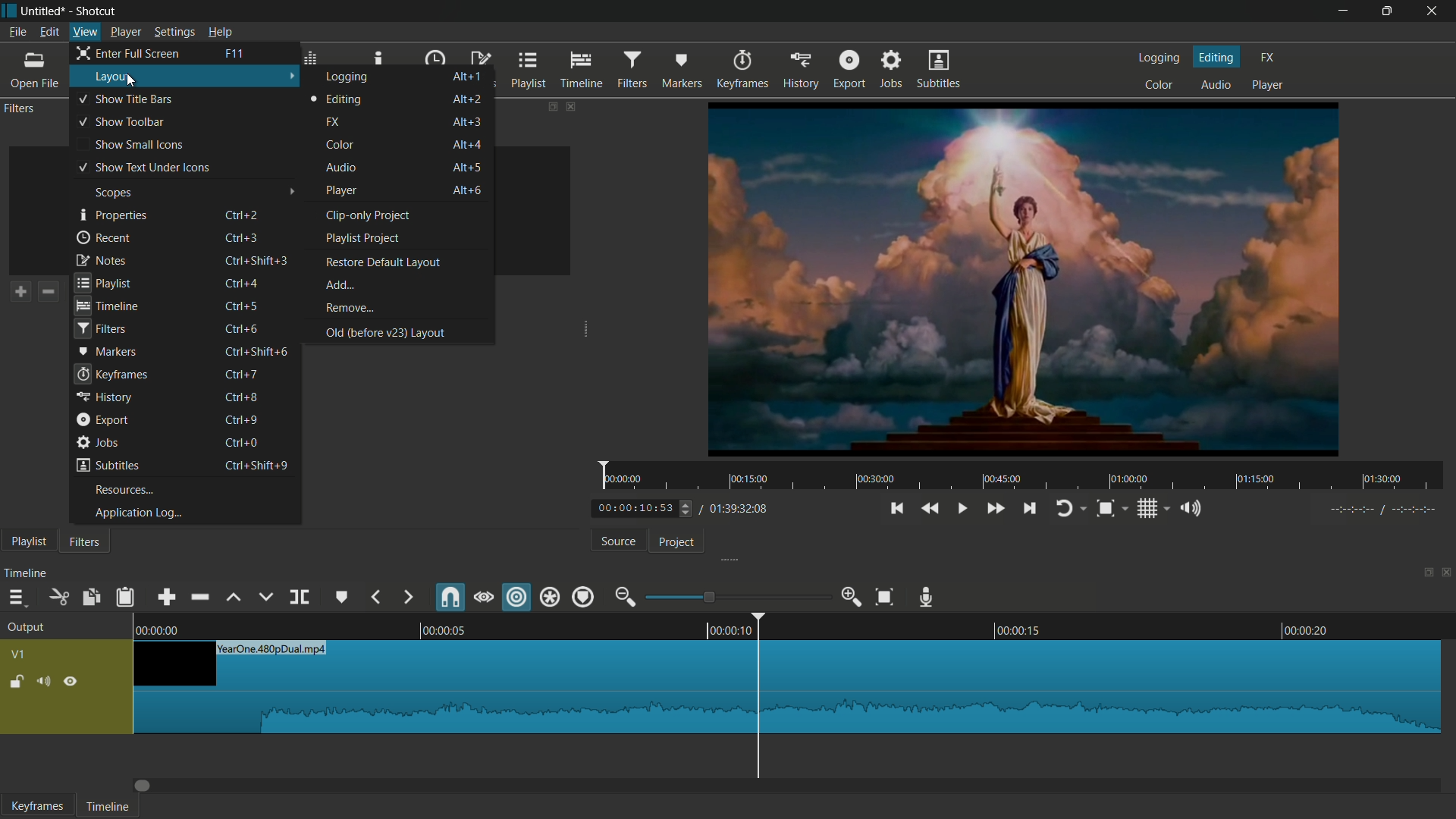  Describe the element at coordinates (370, 215) in the screenshot. I see `clip only project` at that location.